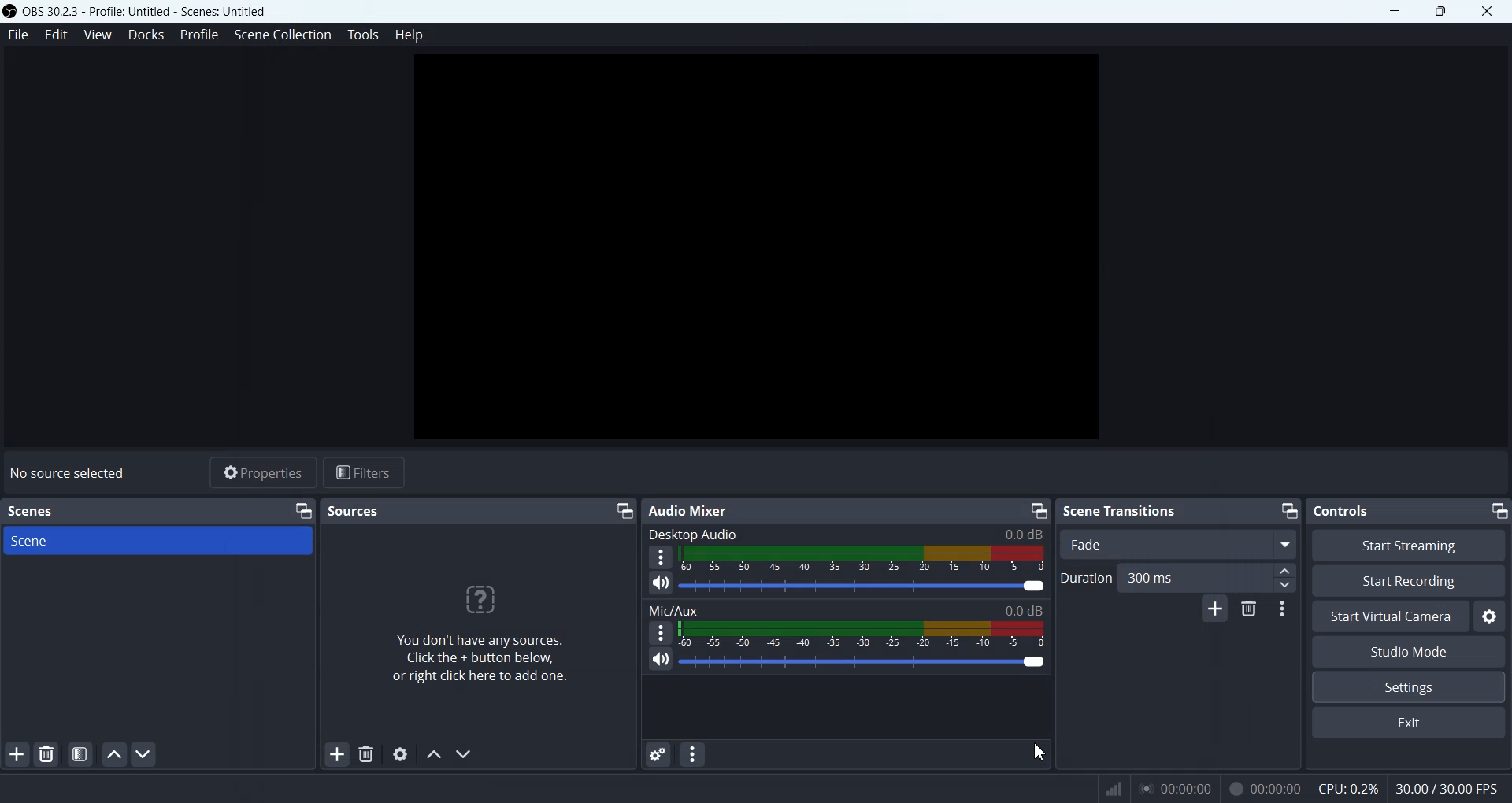 The width and height of the screenshot is (1512, 803). Describe the element at coordinates (354, 510) in the screenshot. I see `Sources` at that location.